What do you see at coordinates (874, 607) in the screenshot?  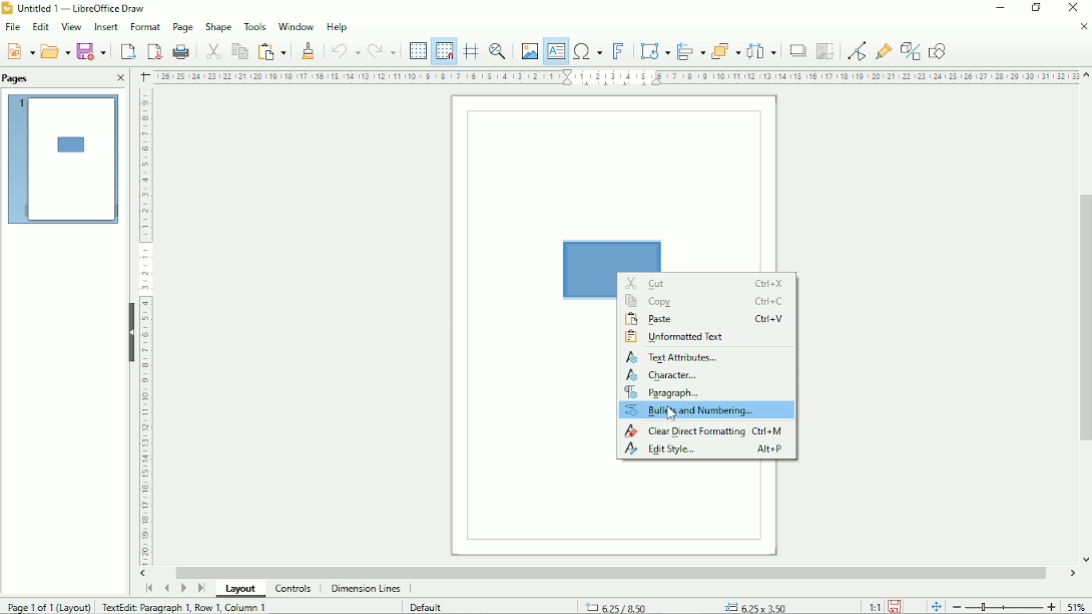 I see `Scaling factor` at bounding box center [874, 607].